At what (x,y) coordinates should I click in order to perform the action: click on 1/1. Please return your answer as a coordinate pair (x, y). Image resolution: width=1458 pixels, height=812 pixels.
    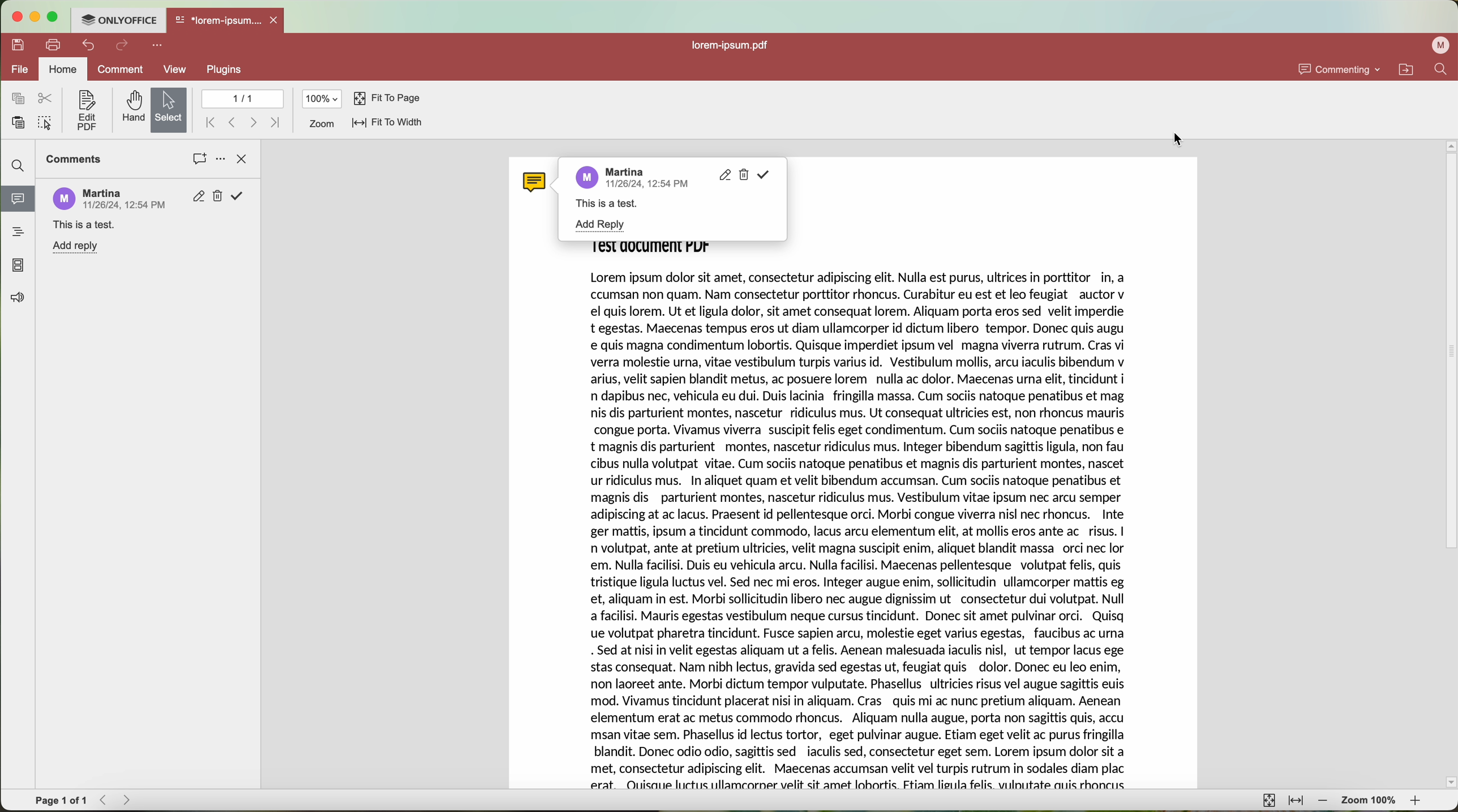
    Looking at the image, I should click on (242, 98).